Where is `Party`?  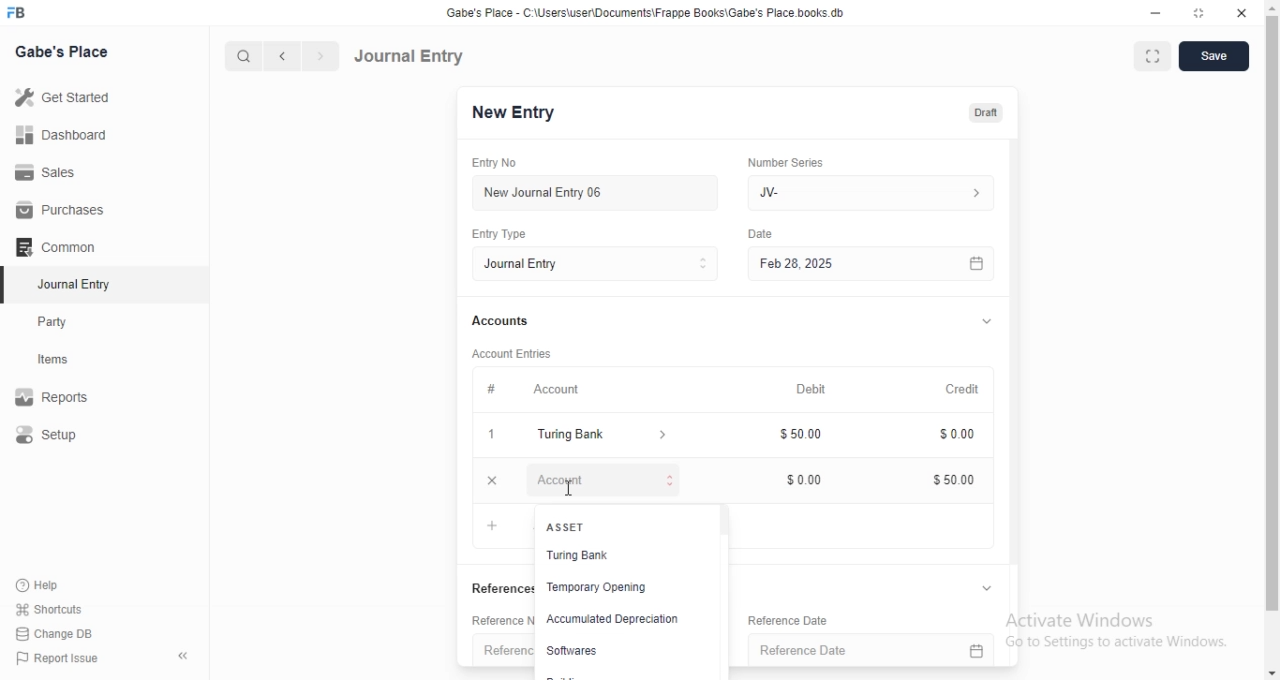 Party is located at coordinates (66, 322).